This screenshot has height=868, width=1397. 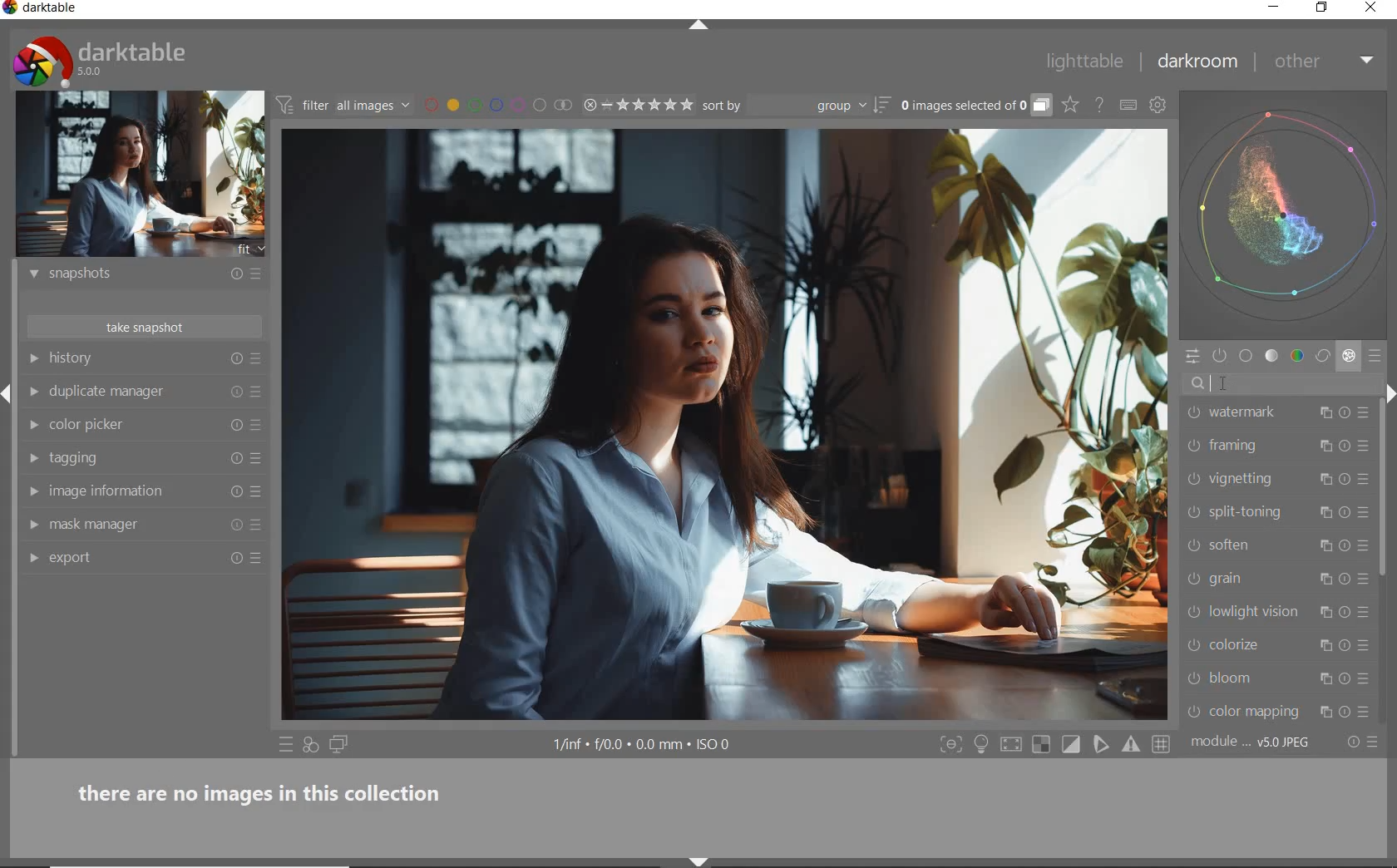 What do you see at coordinates (339, 745) in the screenshot?
I see `display a second darkroom image window` at bounding box center [339, 745].